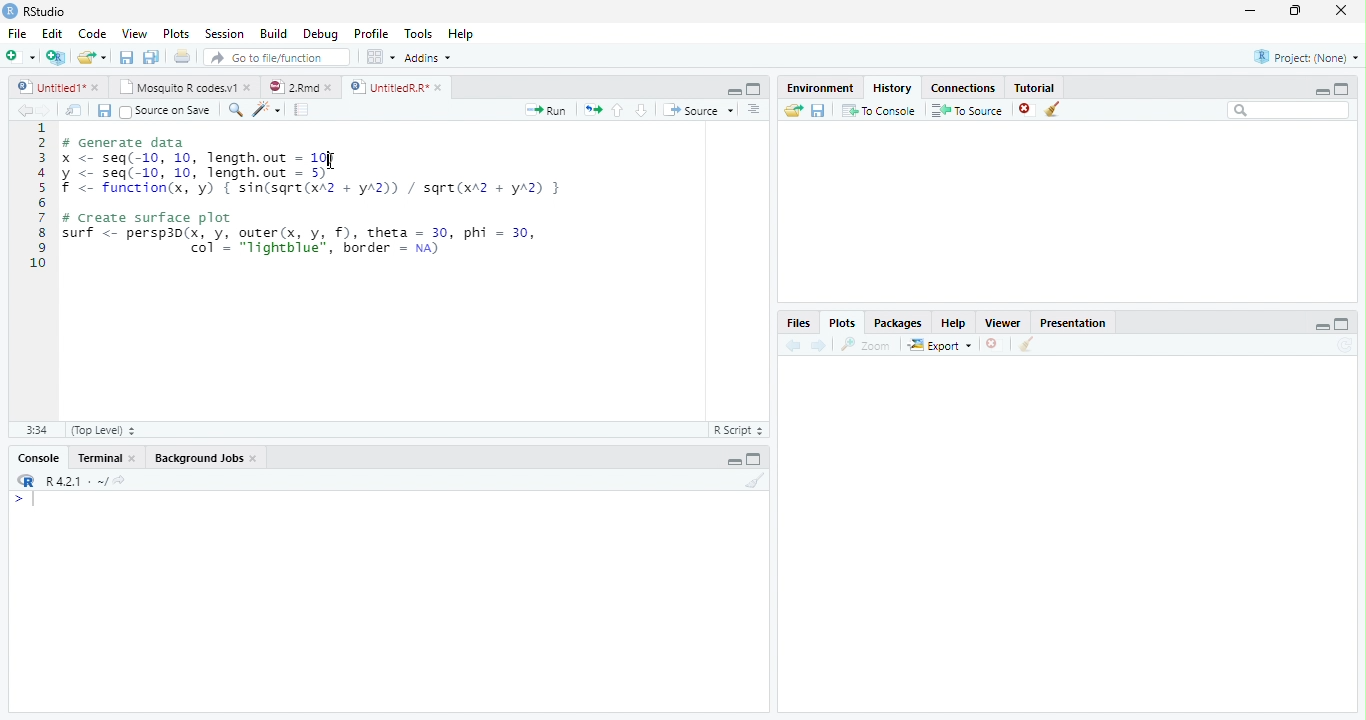 The width and height of the screenshot is (1366, 720). Describe the element at coordinates (1002, 322) in the screenshot. I see `Viewer` at that location.